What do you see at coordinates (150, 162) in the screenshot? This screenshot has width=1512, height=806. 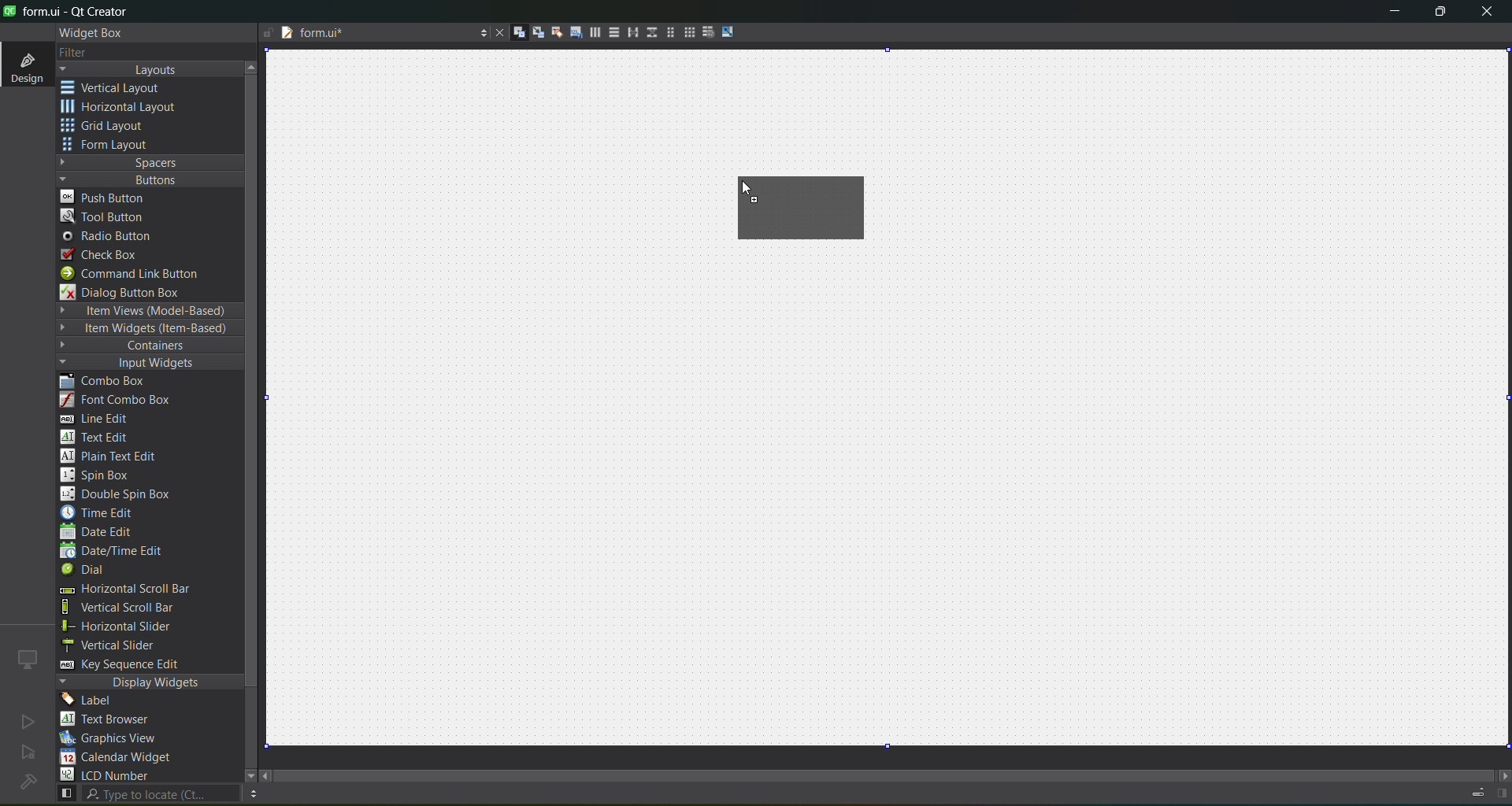 I see `spaces` at bounding box center [150, 162].